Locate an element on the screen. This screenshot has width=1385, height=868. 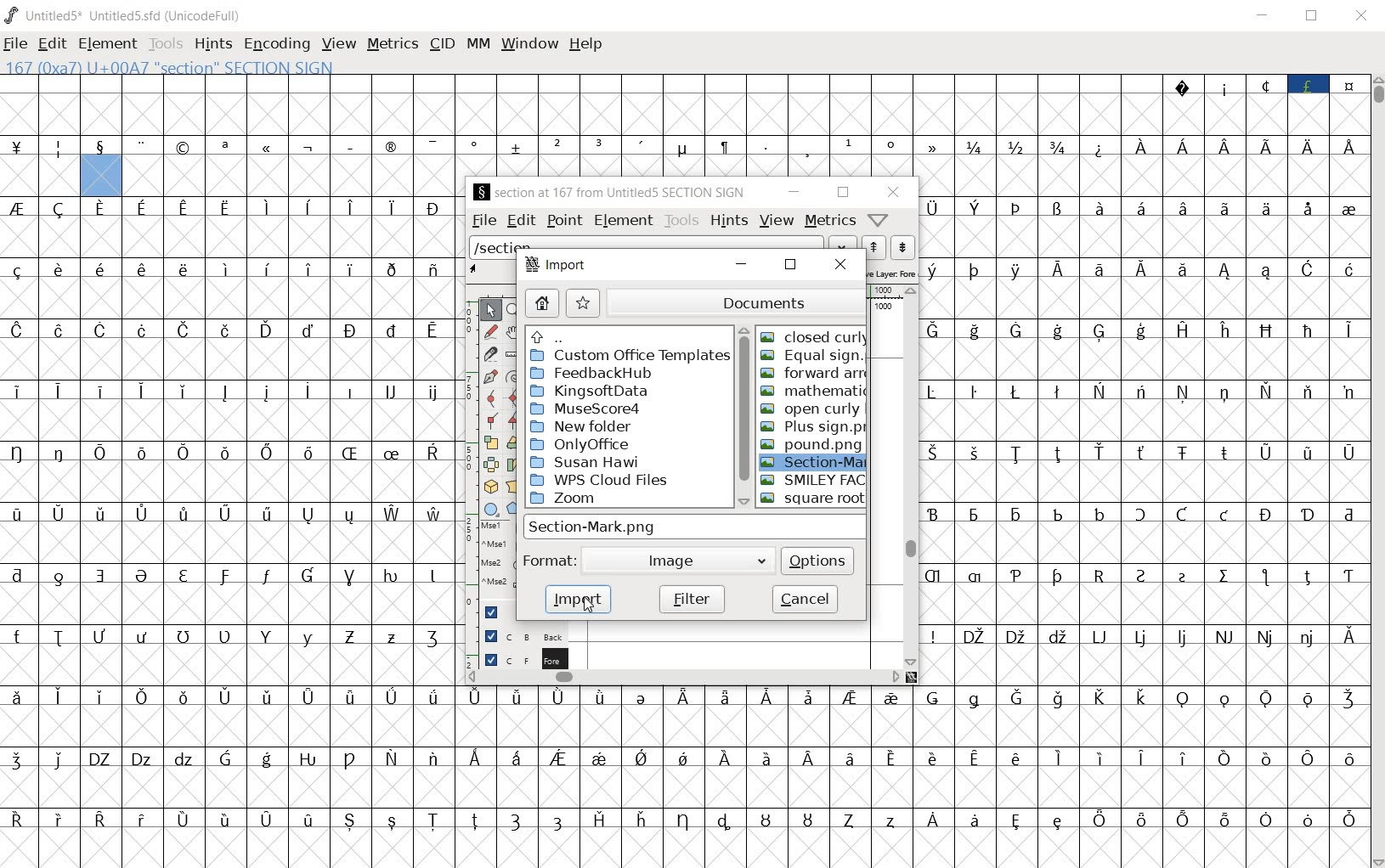
POUND.PNG is located at coordinates (811, 444).